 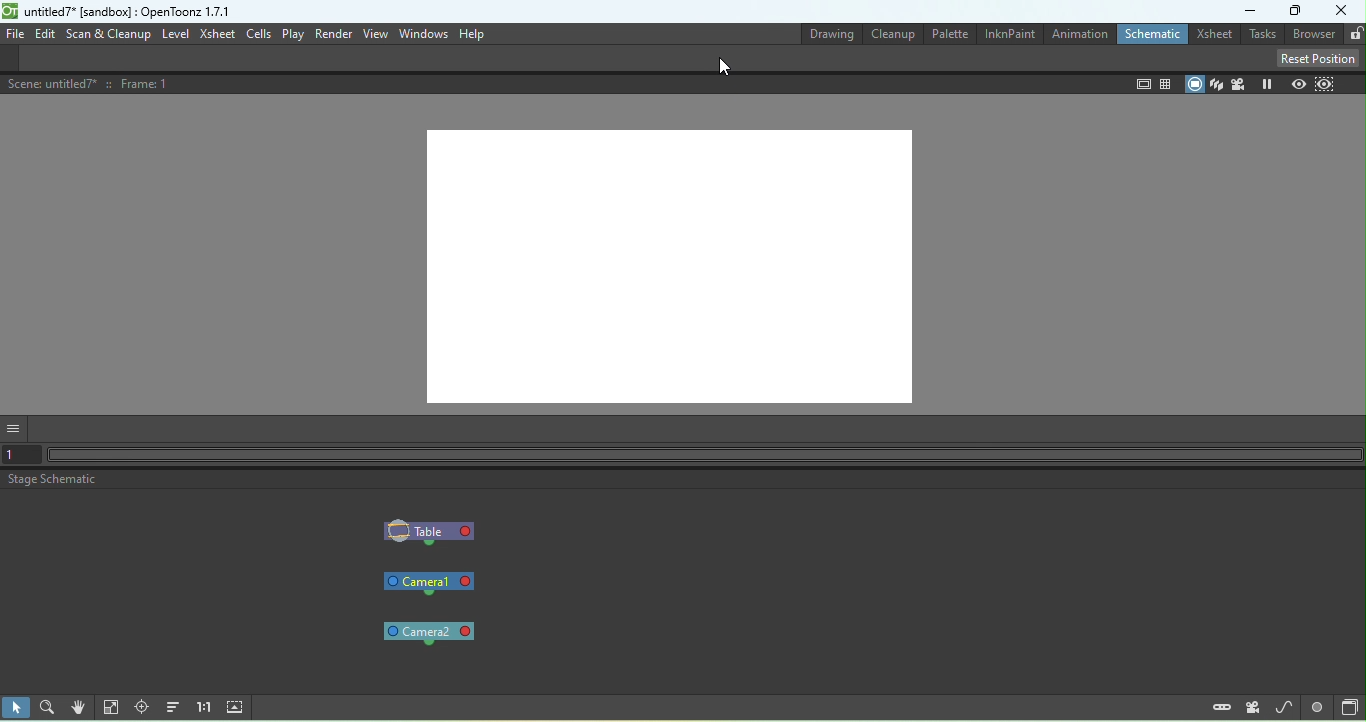 What do you see at coordinates (1265, 86) in the screenshot?
I see `Freeze` at bounding box center [1265, 86].